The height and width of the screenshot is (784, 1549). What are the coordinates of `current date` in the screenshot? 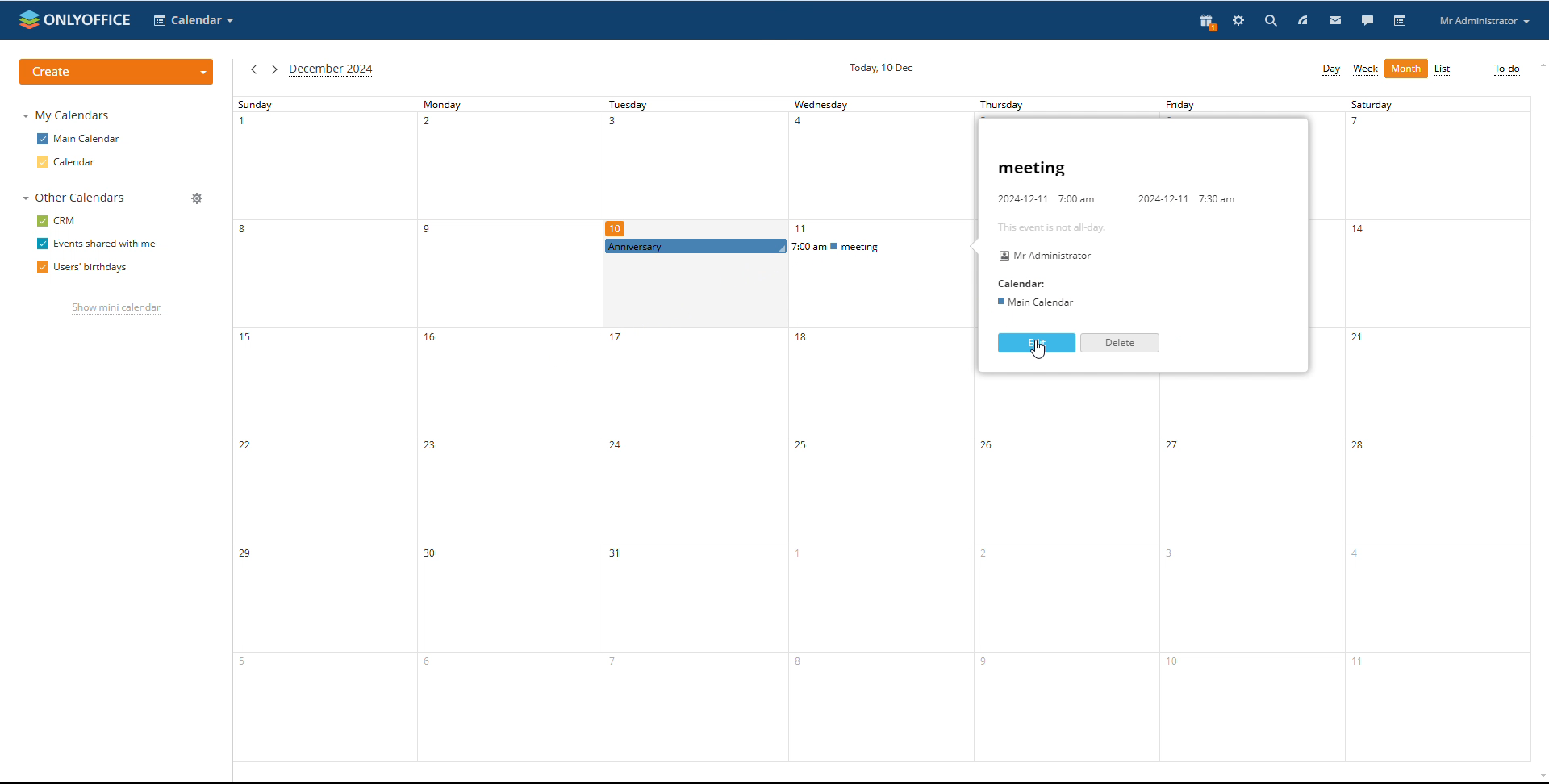 It's located at (883, 67).